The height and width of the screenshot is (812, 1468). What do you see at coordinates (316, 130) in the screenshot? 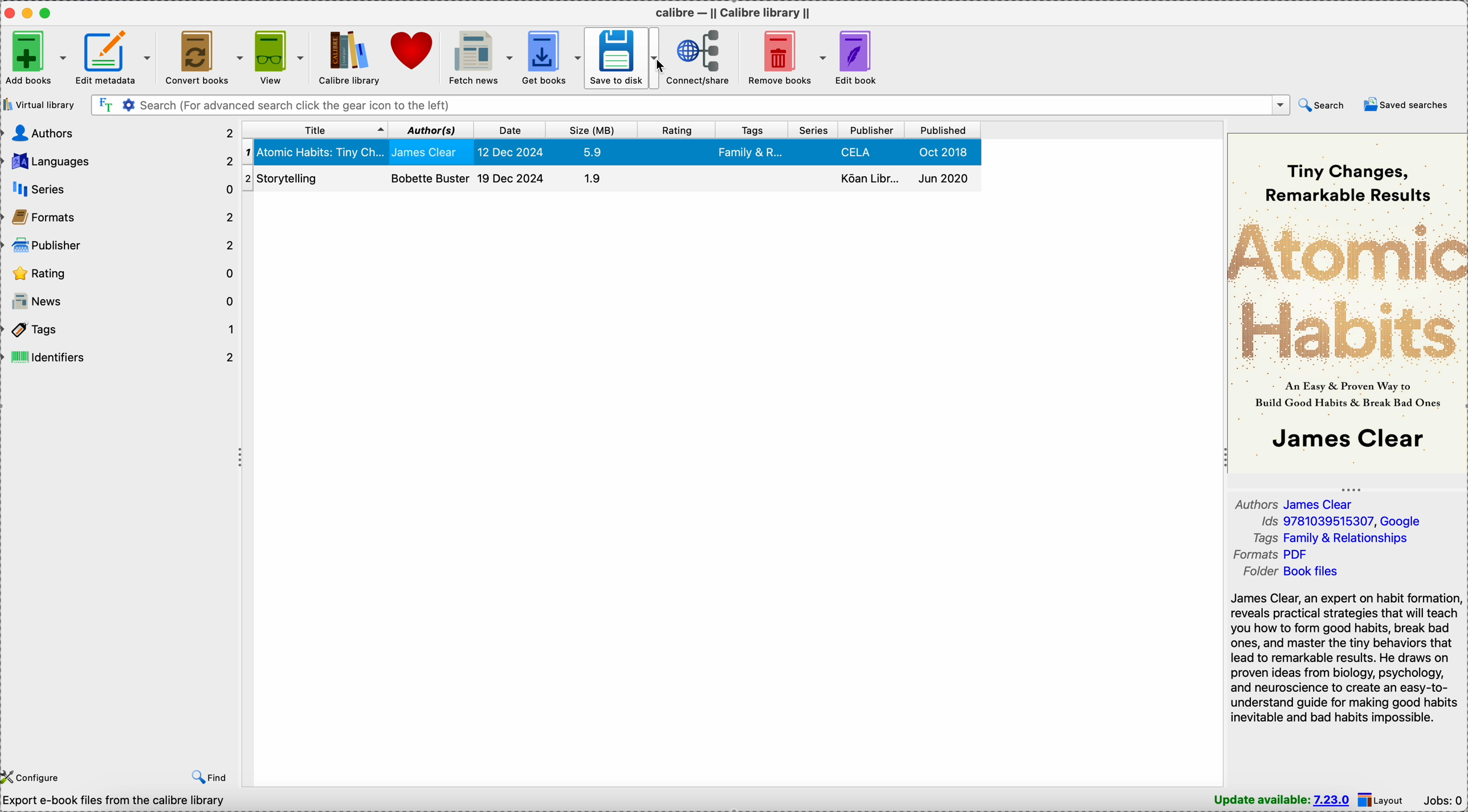
I see `title` at bounding box center [316, 130].